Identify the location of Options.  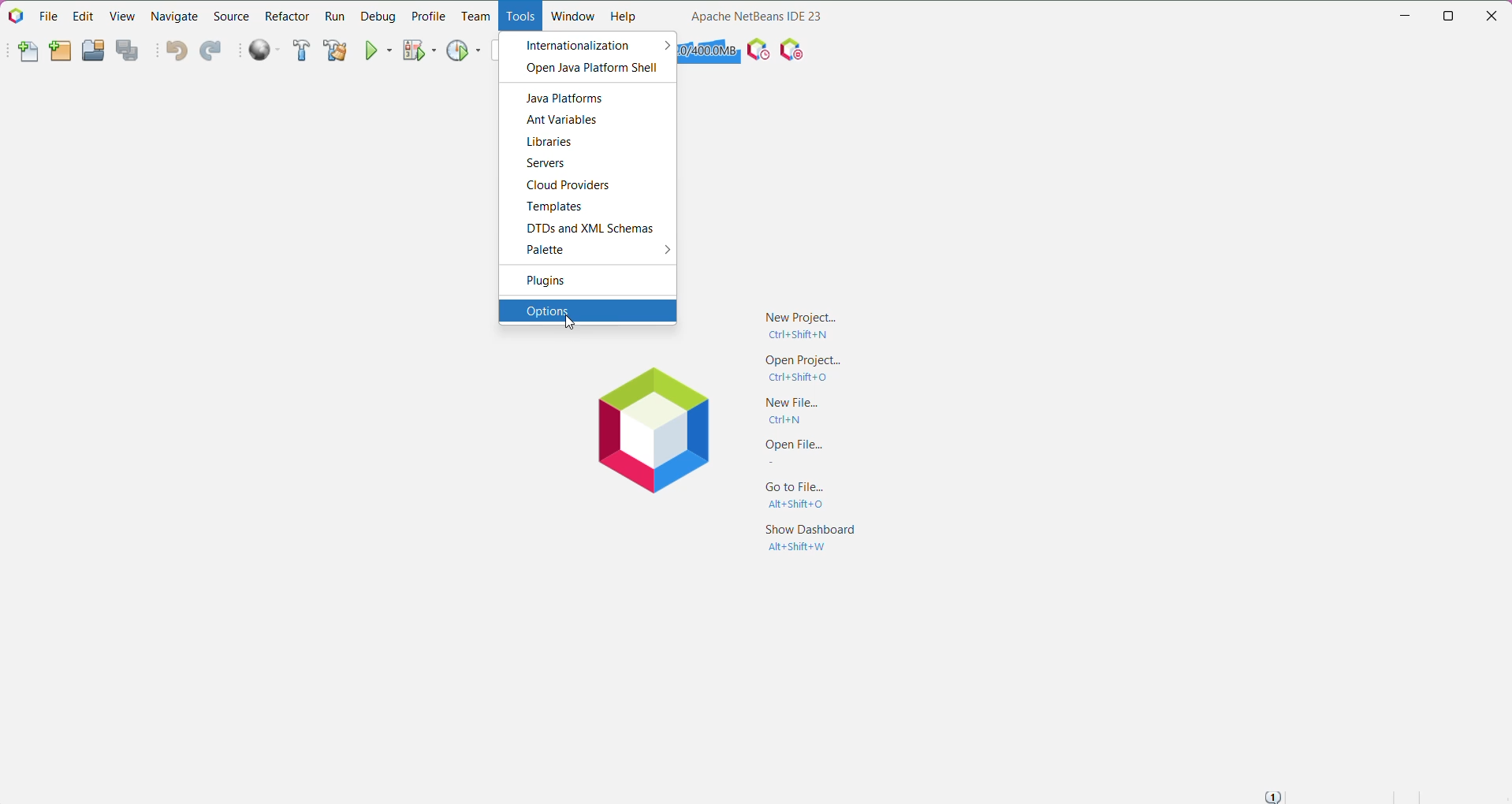
(587, 310).